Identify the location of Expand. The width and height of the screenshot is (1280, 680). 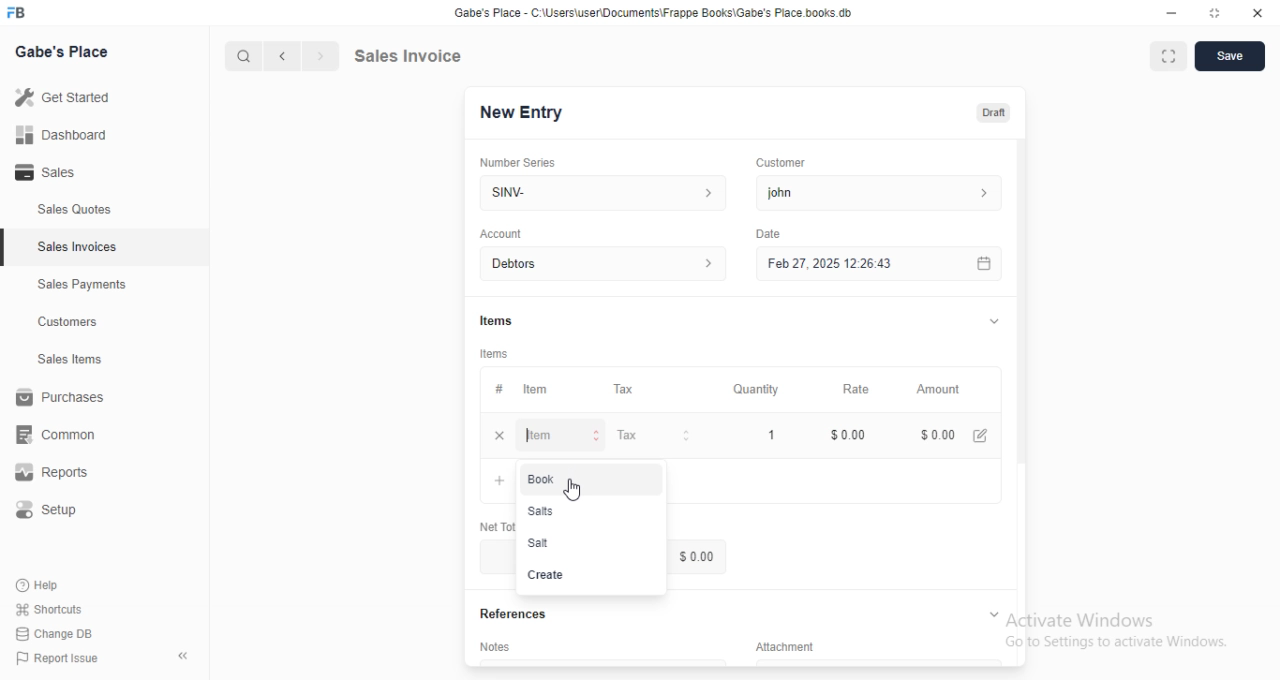
(993, 612).